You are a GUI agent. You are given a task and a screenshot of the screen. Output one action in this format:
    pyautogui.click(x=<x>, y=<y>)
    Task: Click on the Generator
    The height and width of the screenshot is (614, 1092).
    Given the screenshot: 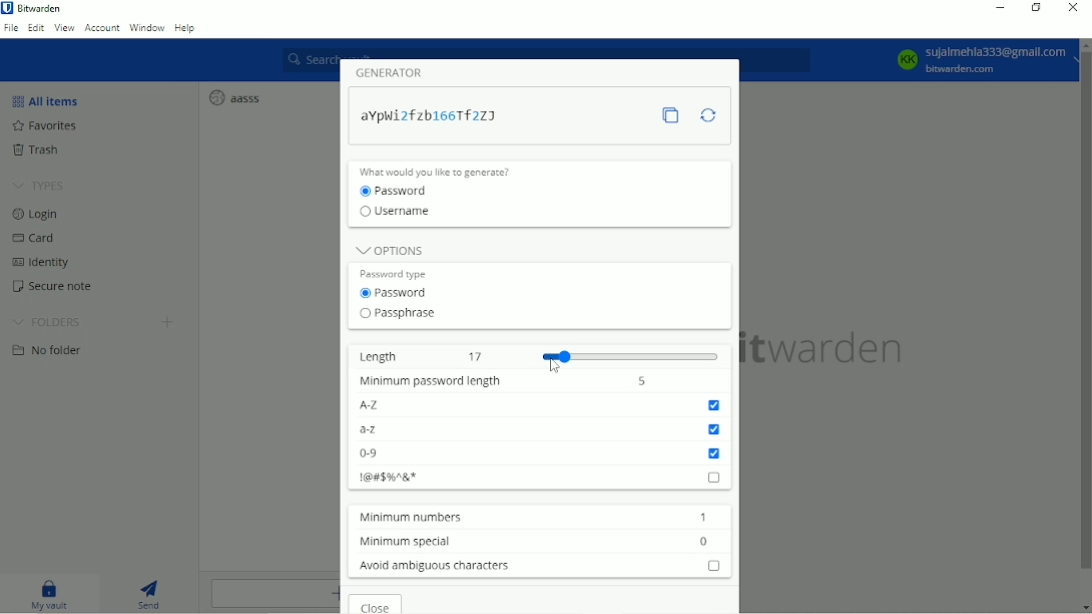 What is the action you would take?
    pyautogui.click(x=395, y=72)
    